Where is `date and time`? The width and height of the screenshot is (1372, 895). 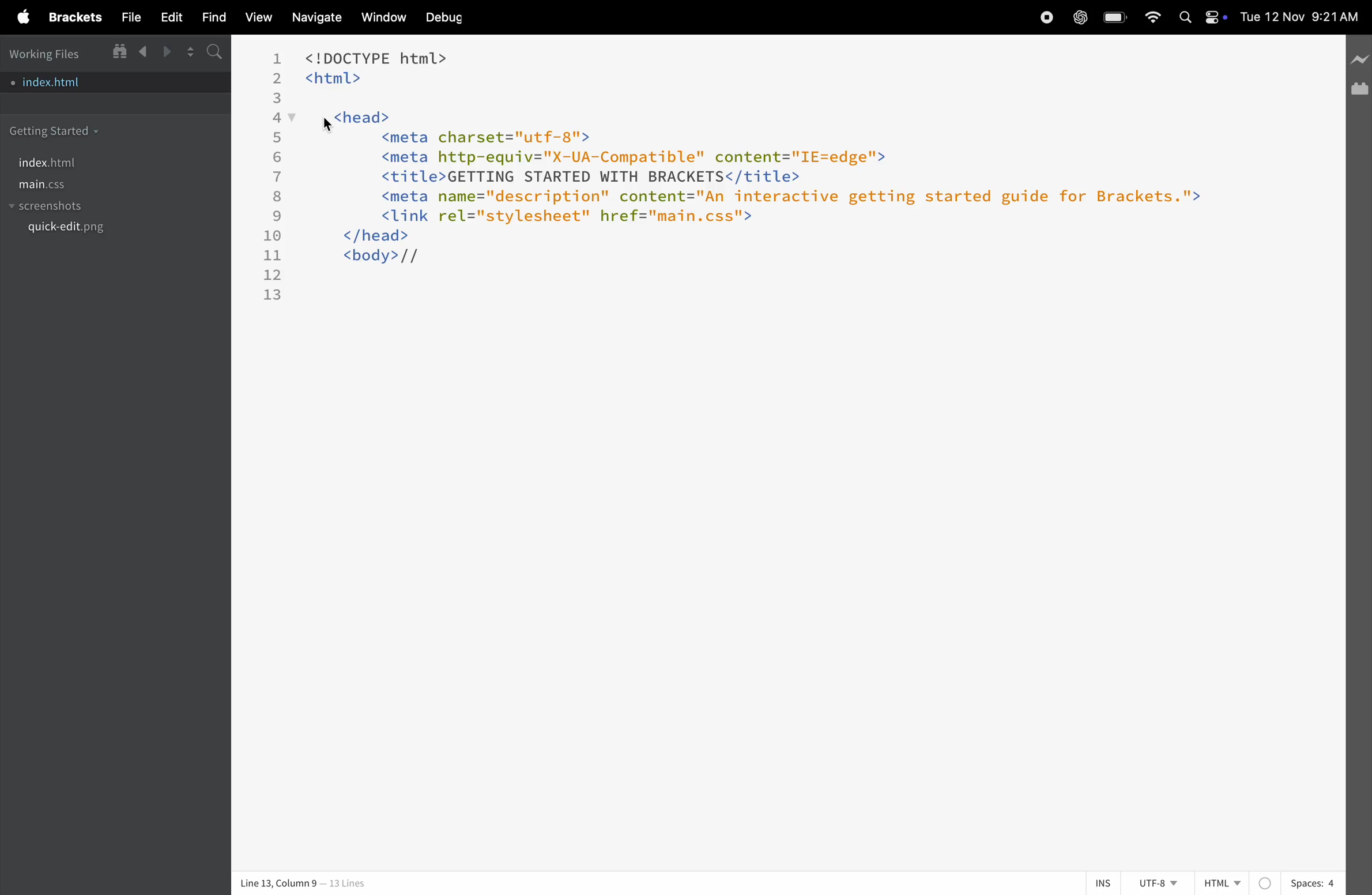
date and time is located at coordinates (1303, 17).